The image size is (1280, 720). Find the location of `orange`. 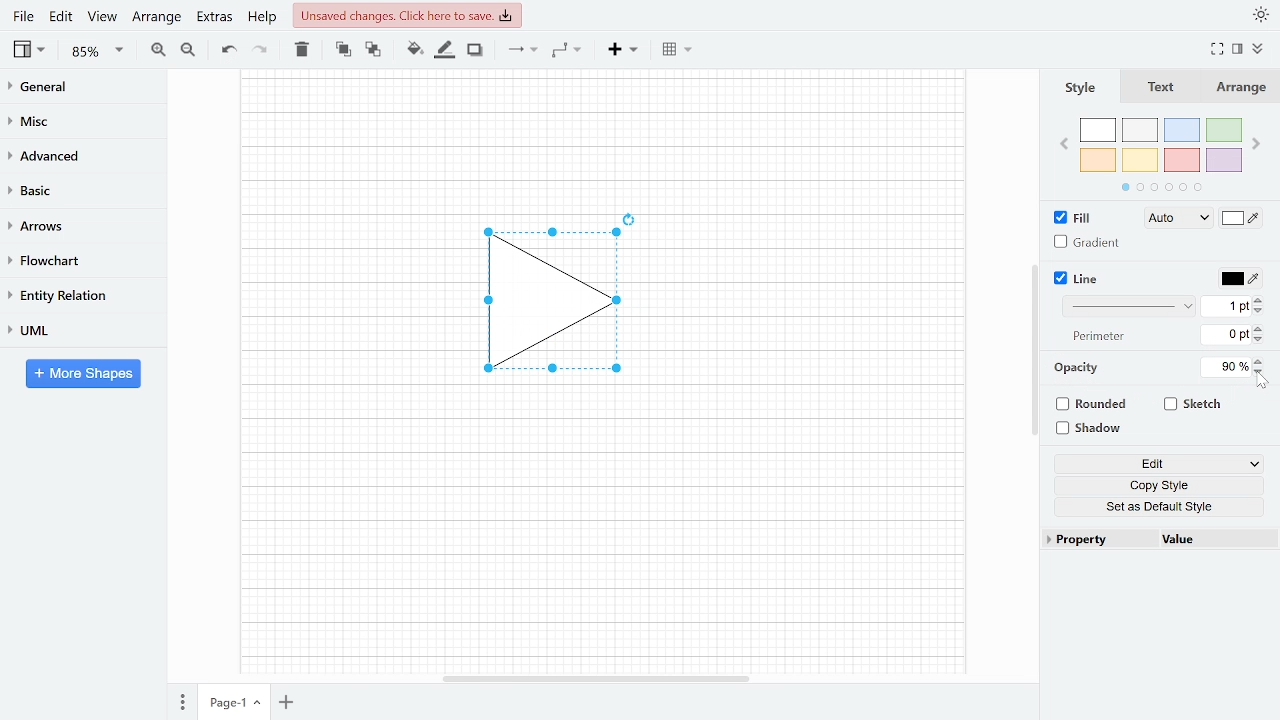

orange is located at coordinates (1098, 160).